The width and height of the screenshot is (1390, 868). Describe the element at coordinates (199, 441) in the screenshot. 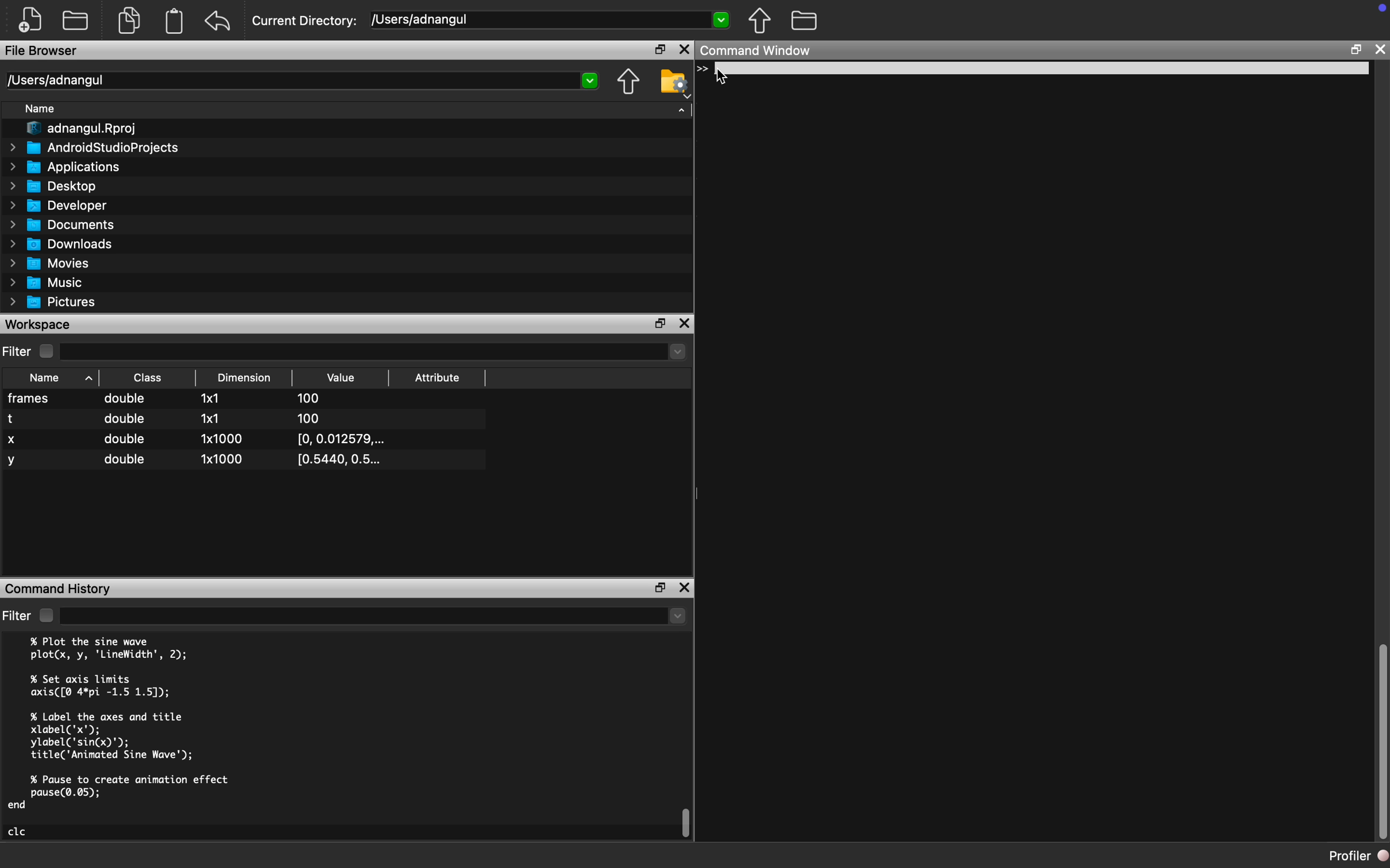

I see `X double 1x1000 [0, 0.012579,...` at that location.